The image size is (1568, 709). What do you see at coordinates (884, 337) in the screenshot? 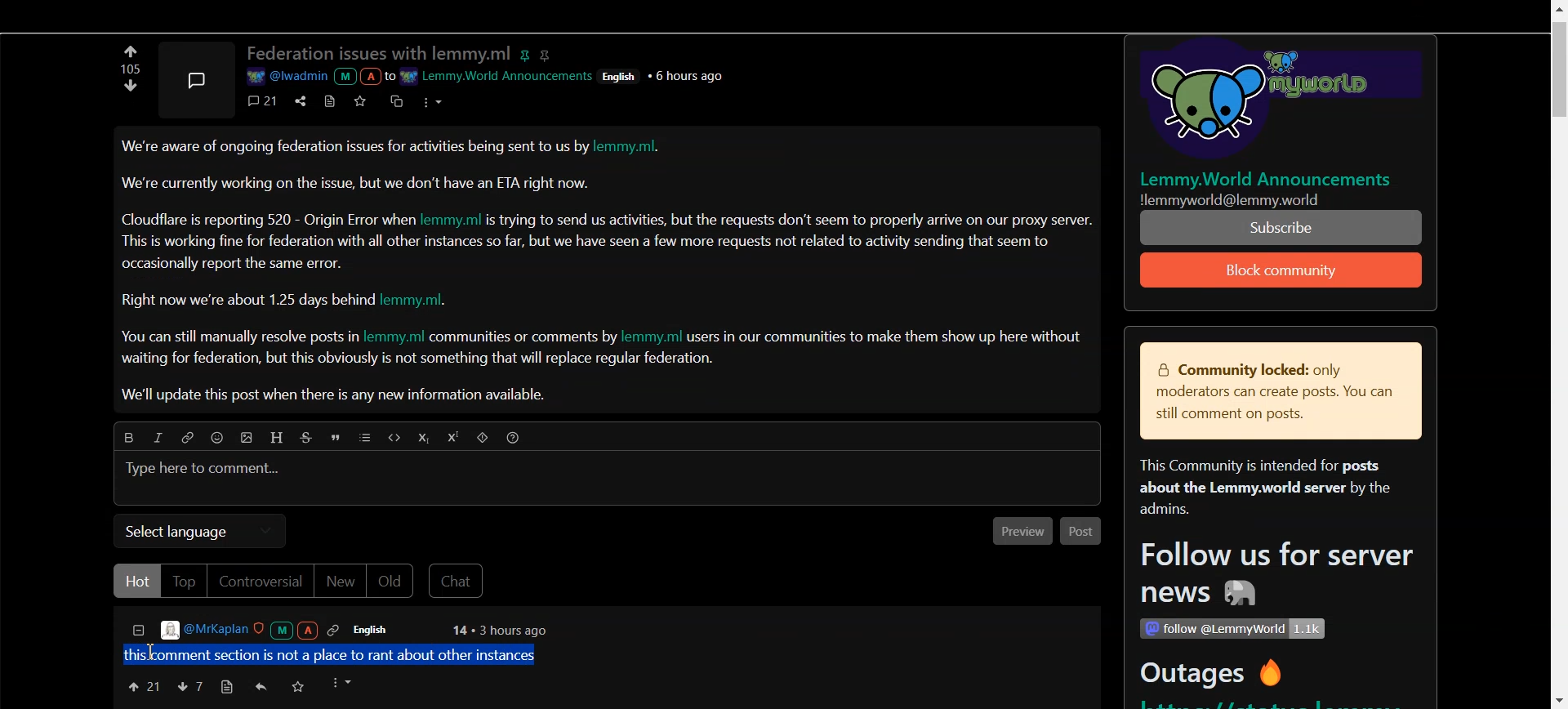
I see `| users in our communities to make them show up here withou` at bounding box center [884, 337].